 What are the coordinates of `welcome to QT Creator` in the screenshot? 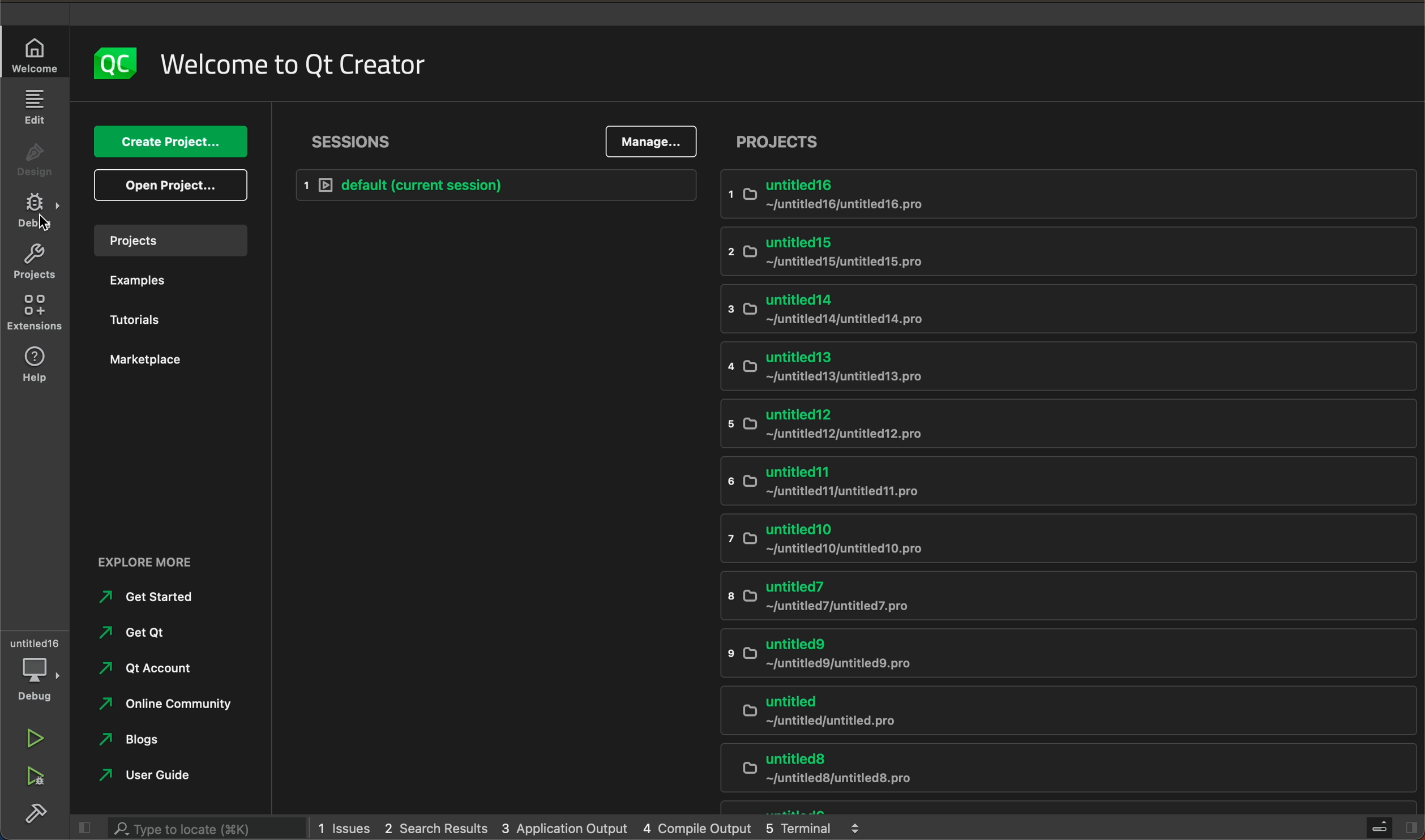 It's located at (293, 63).